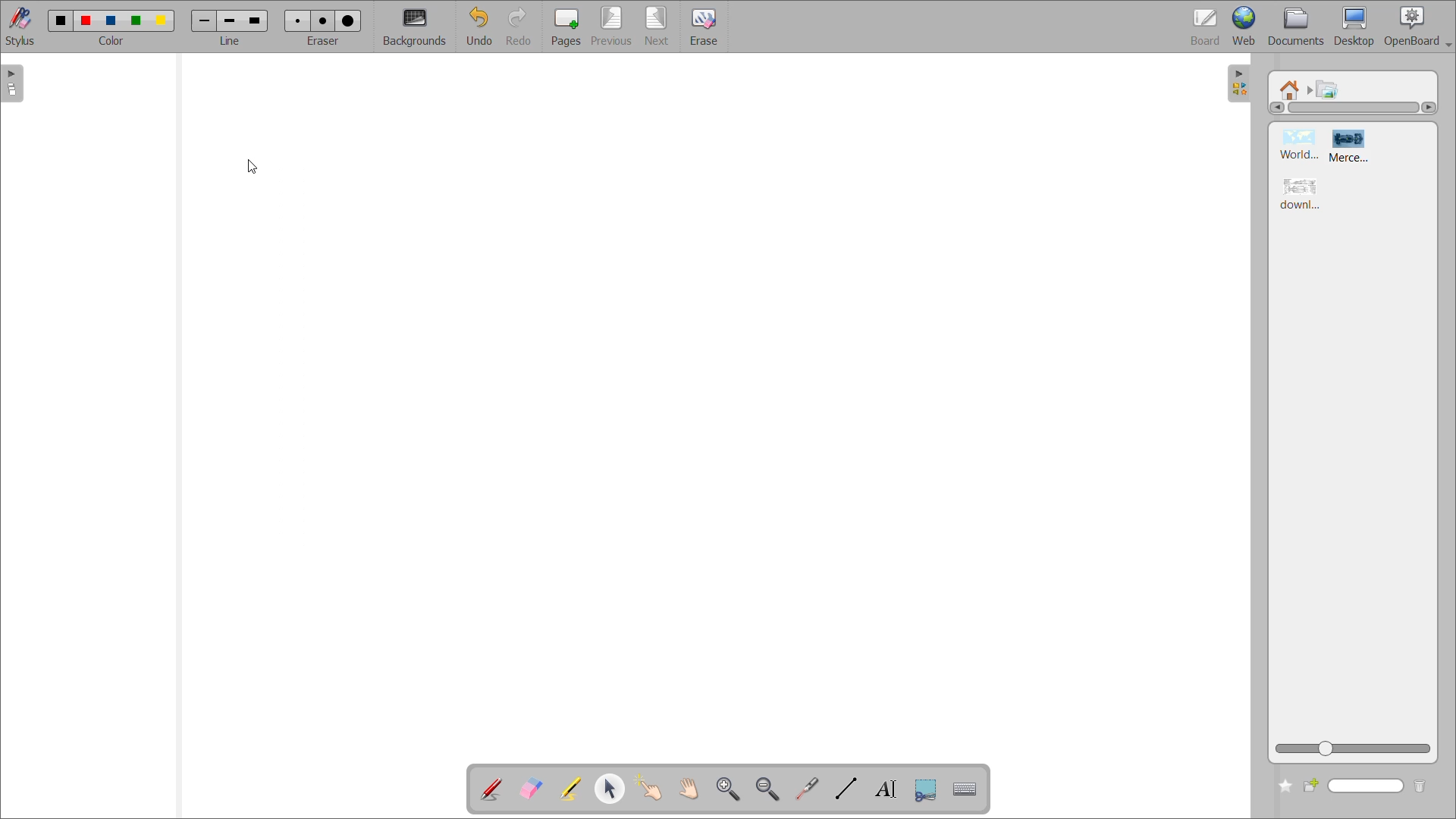 Image resolution: width=1456 pixels, height=819 pixels. What do you see at coordinates (1365, 786) in the screenshot?
I see `name input bar` at bounding box center [1365, 786].